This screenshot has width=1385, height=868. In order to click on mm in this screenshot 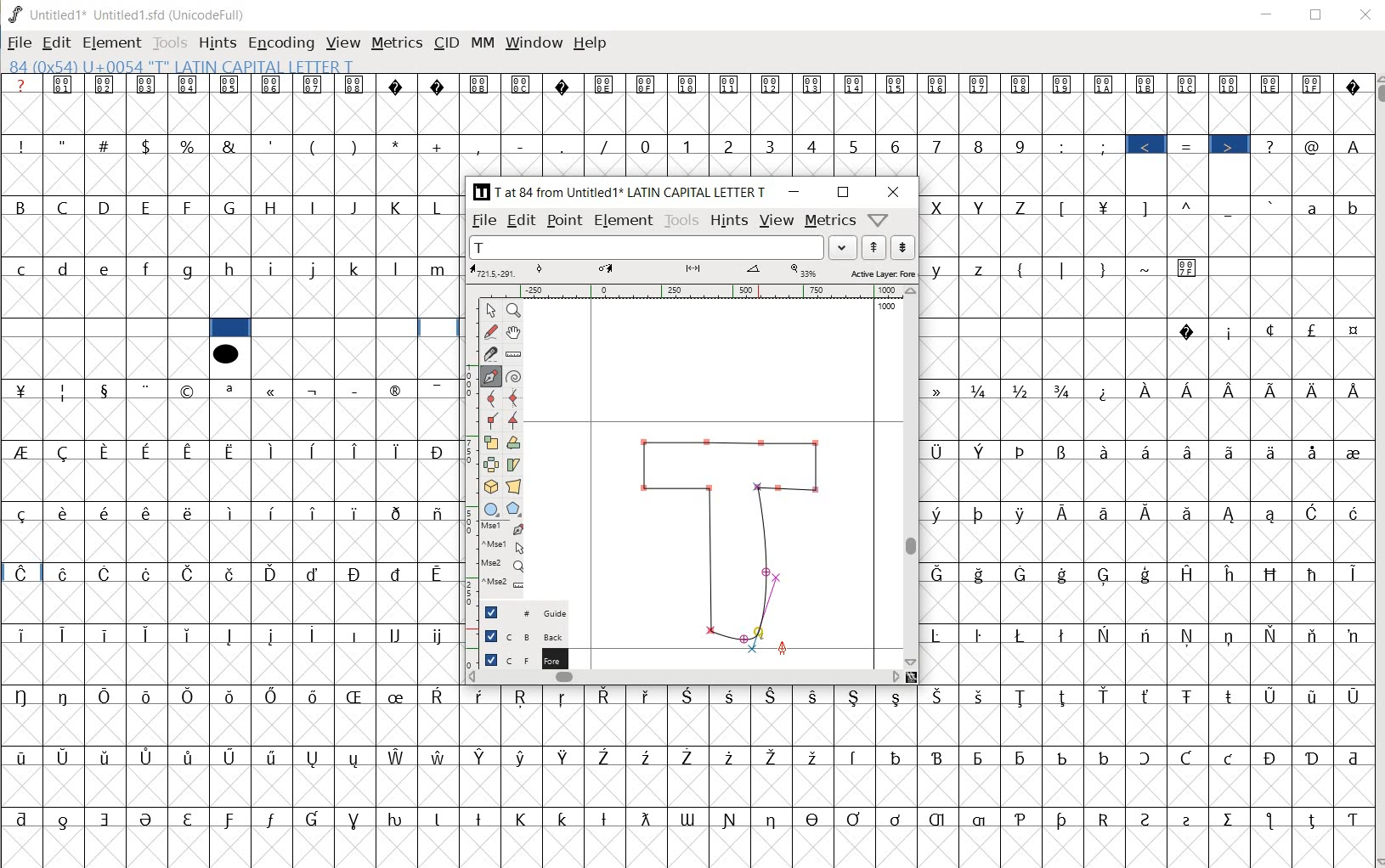, I will do `click(482, 43)`.